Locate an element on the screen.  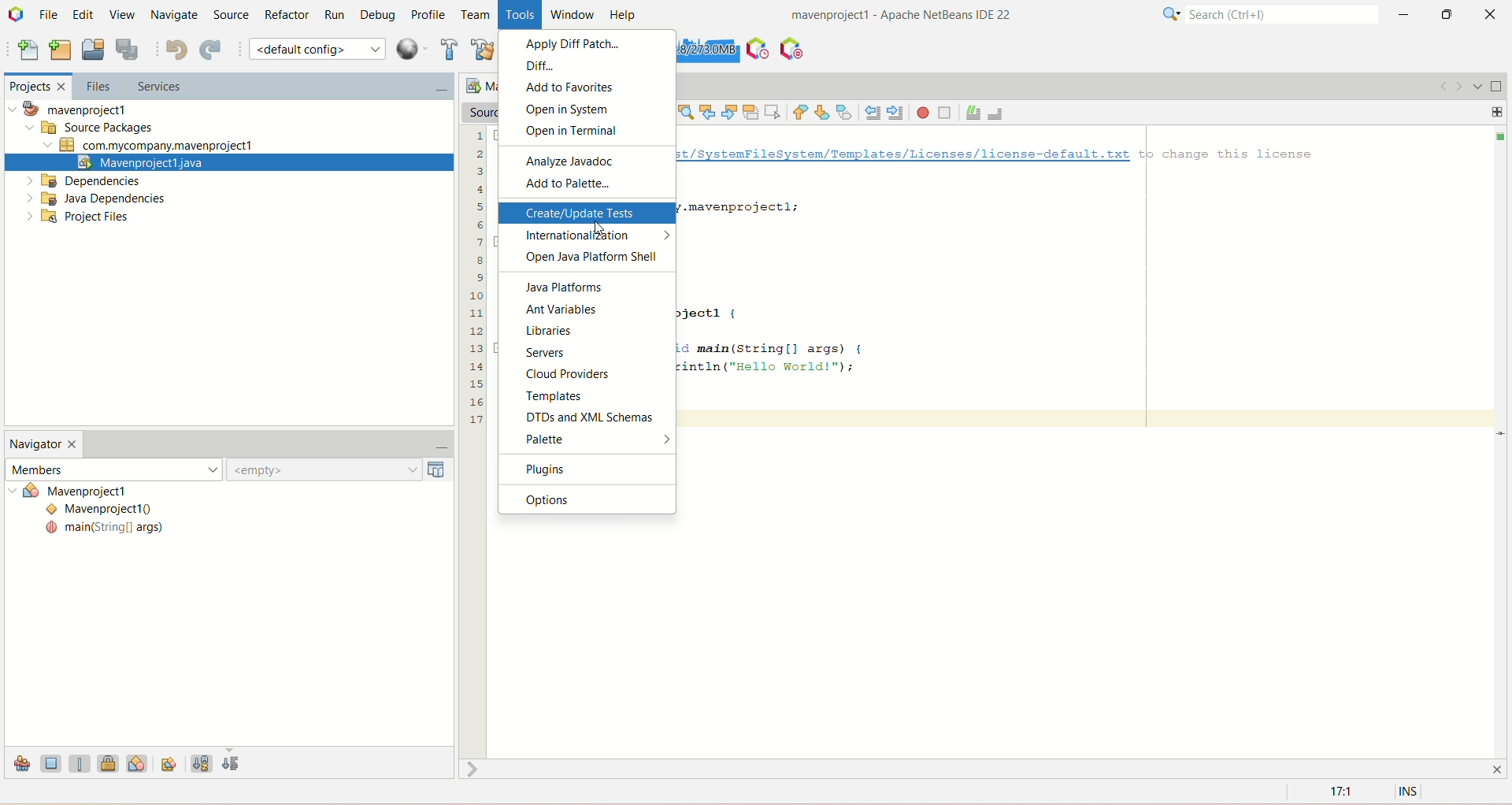
context menu is located at coordinates (412, 49).